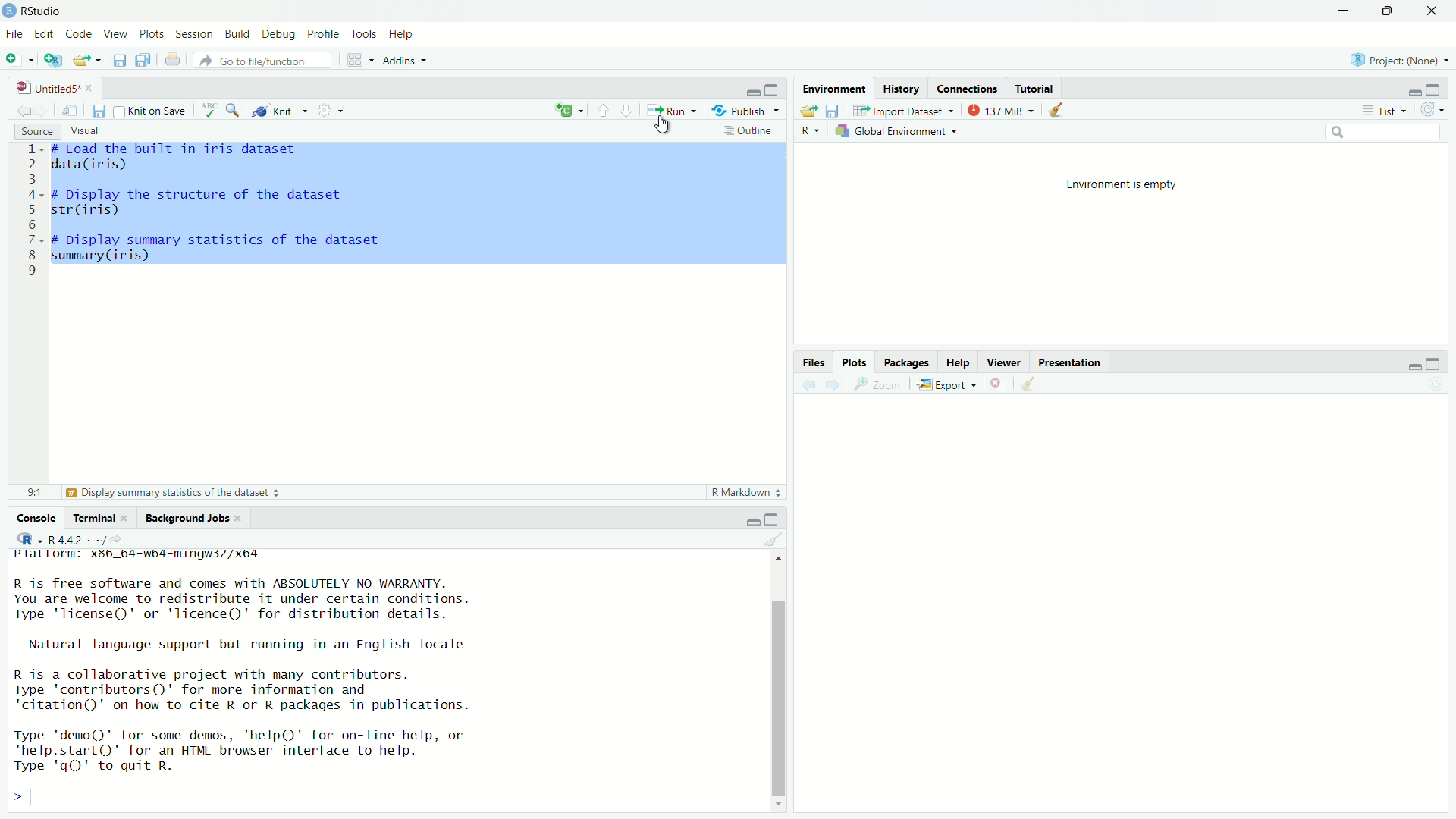 This screenshot has height=819, width=1456. Describe the element at coordinates (570, 108) in the screenshot. I see `New Command` at that location.